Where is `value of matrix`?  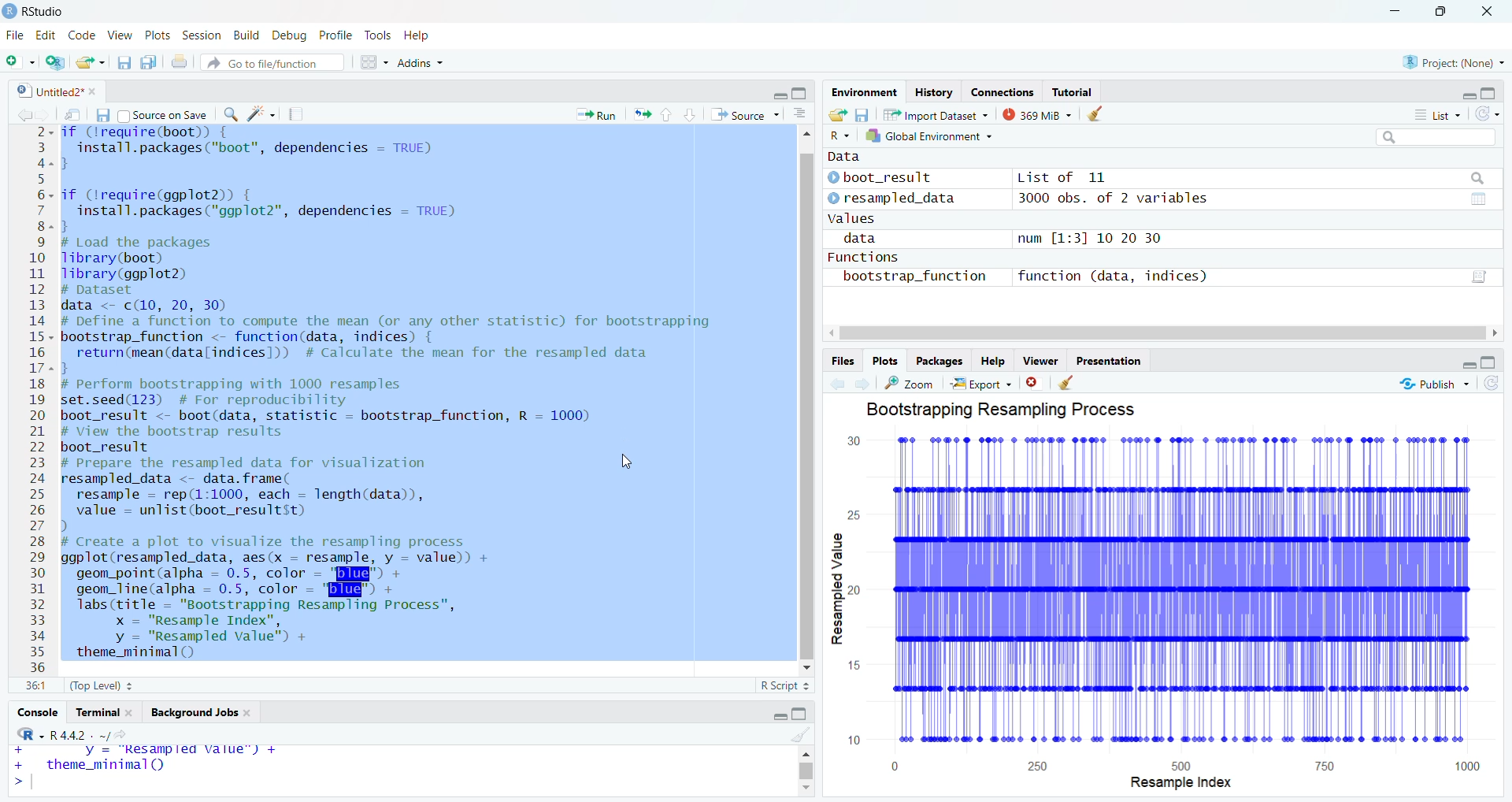
value of matrix is located at coordinates (1480, 278).